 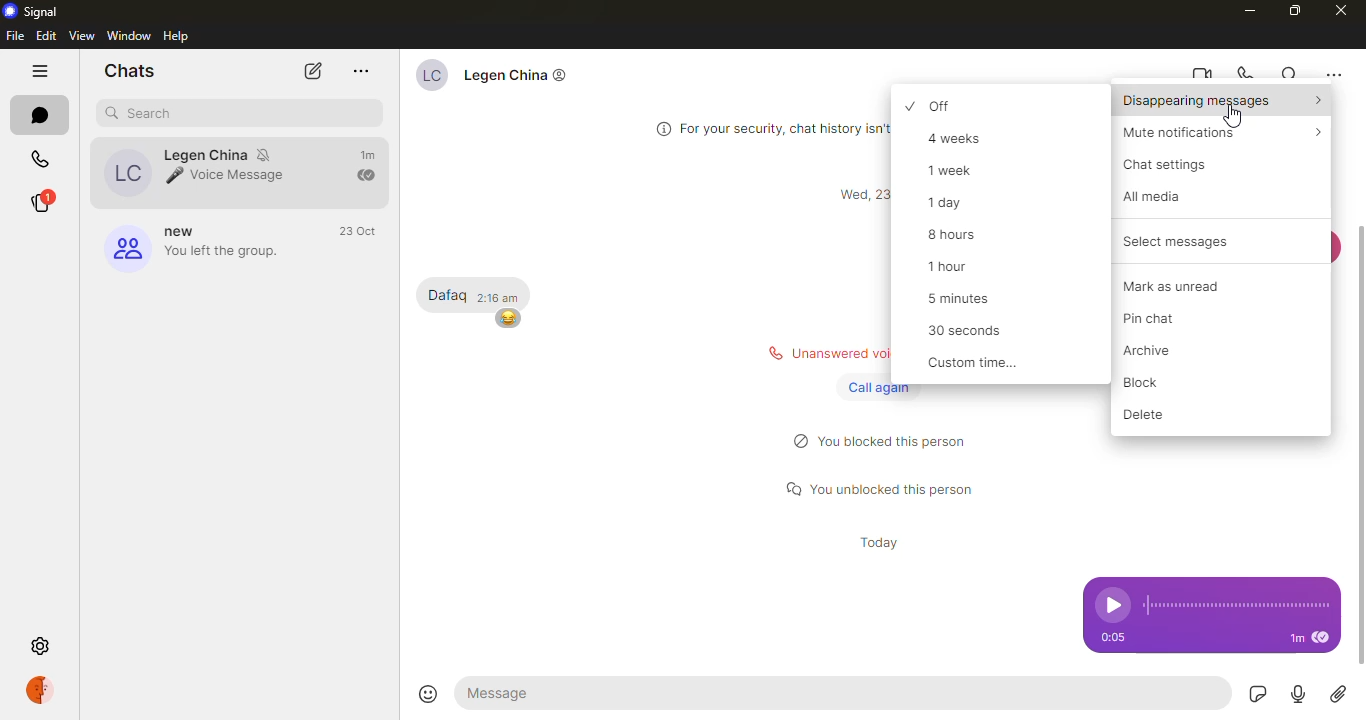 I want to click on 1 week, so click(x=959, y=170).